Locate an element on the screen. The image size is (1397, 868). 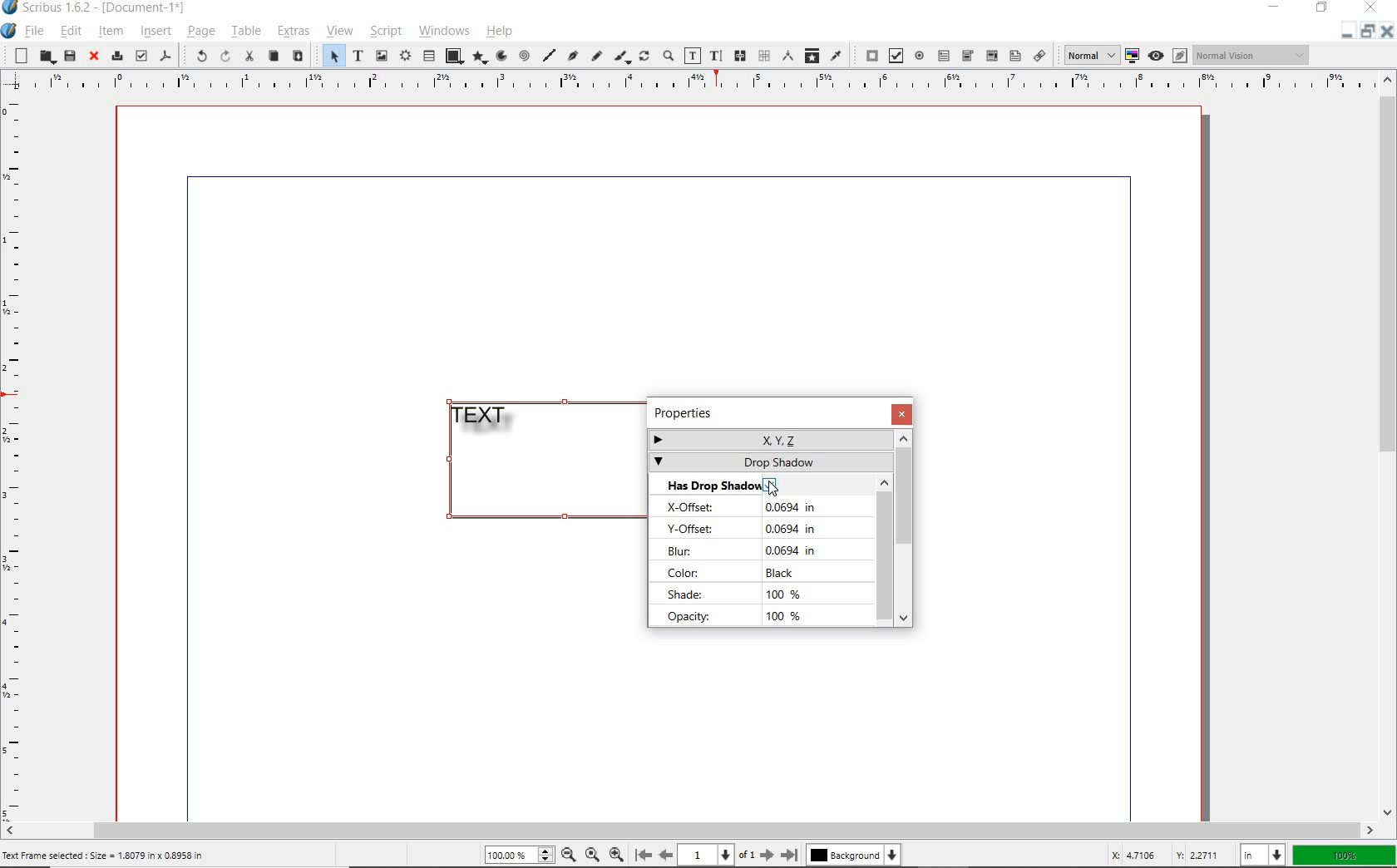
pdf combo box is located at coordinates (990, 56).